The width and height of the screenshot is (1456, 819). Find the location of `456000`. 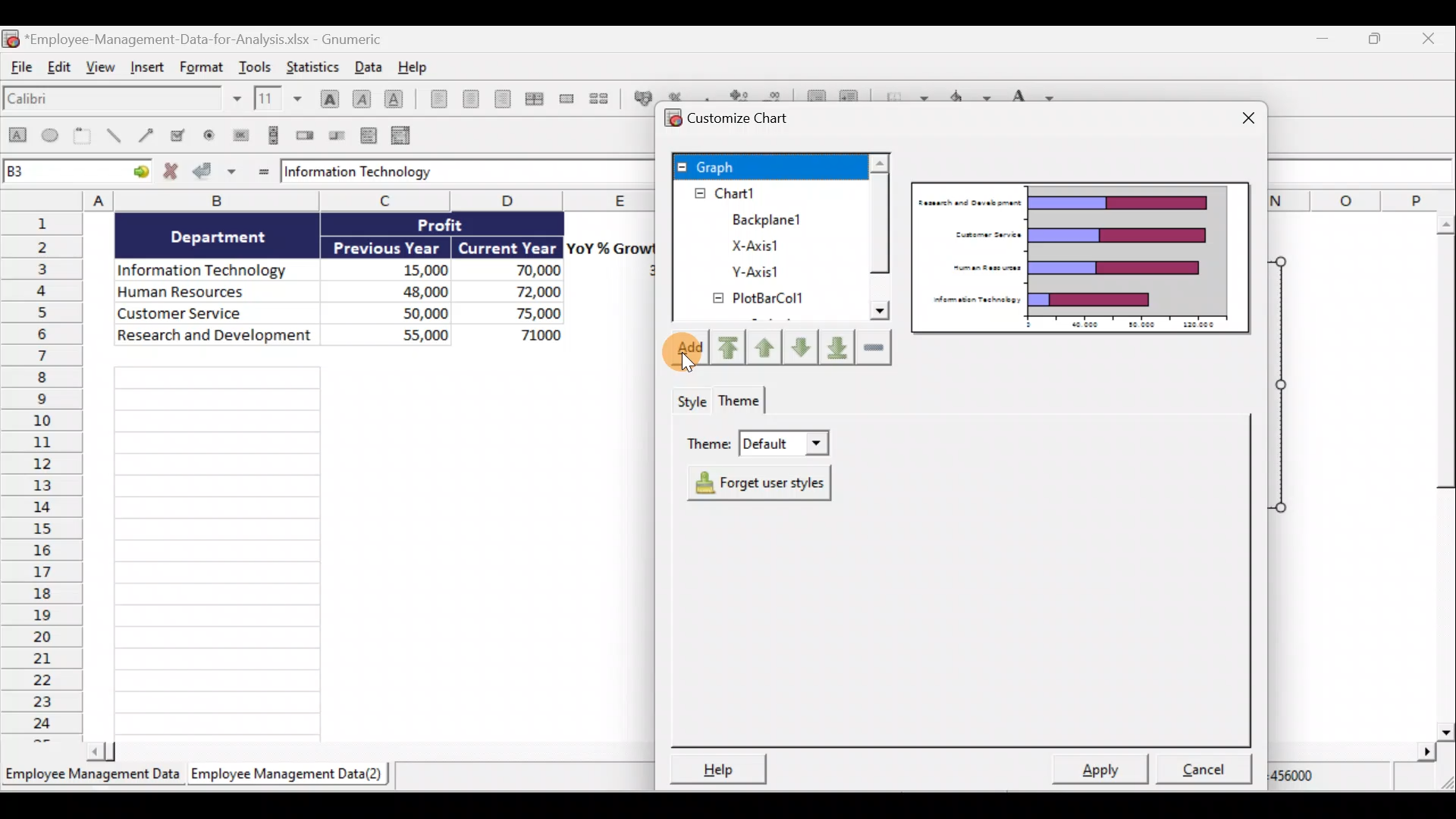

456000 is located at coordinates (1313, 780).